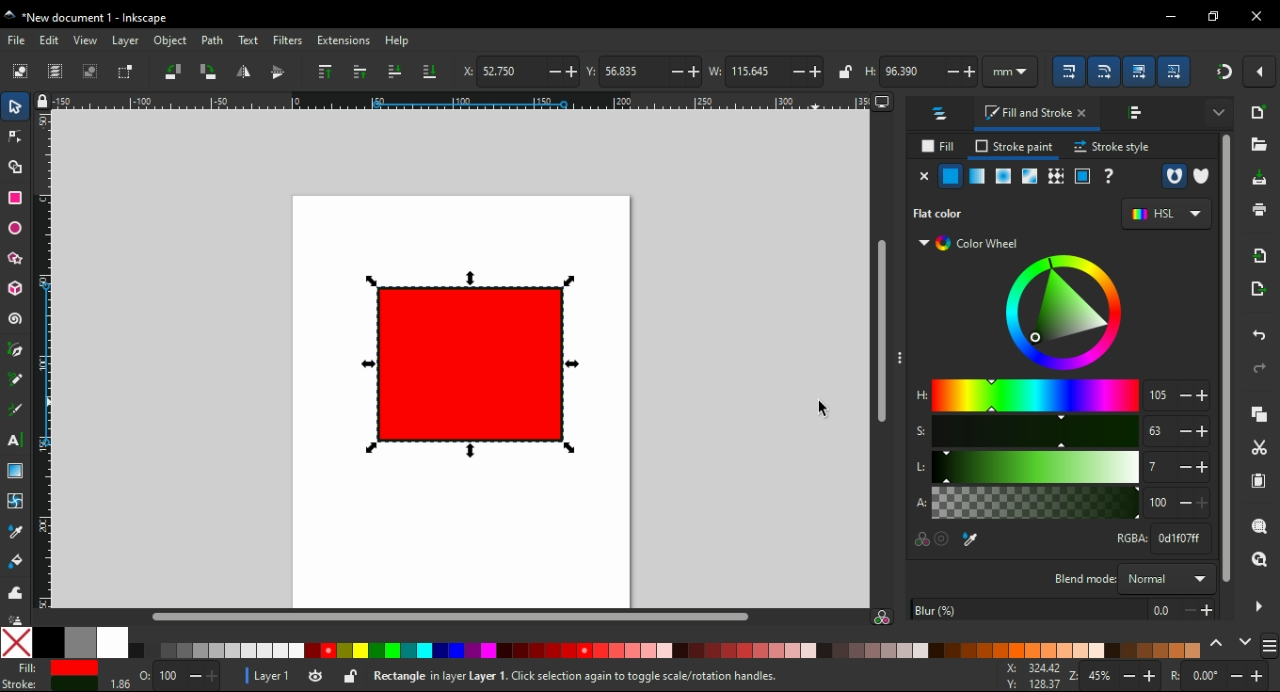 The image size is (1280, 692). Describe the element at coordinates (1200, 177) in the screenshot. I see `fill rule` at that location.